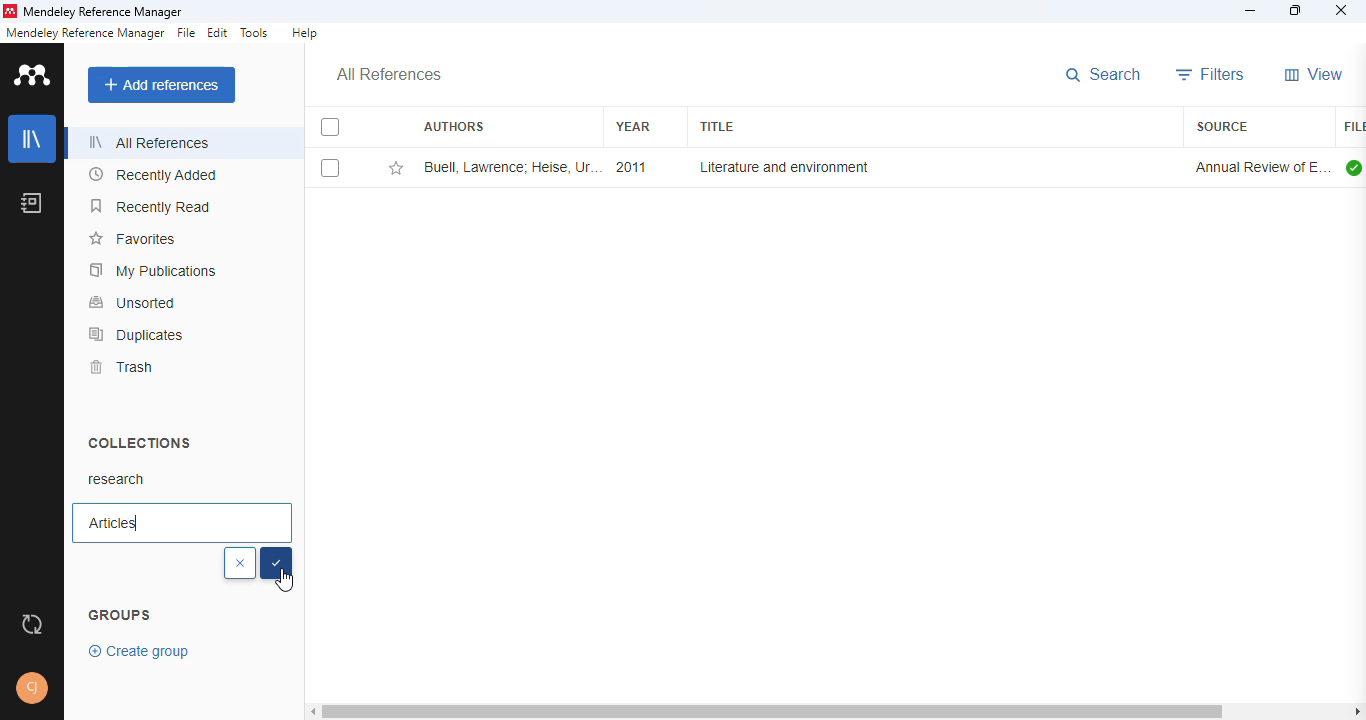  What do you see at coordinates (150, 524) in the screenshot?
I see `Articles` at bounding box center [150, 524].